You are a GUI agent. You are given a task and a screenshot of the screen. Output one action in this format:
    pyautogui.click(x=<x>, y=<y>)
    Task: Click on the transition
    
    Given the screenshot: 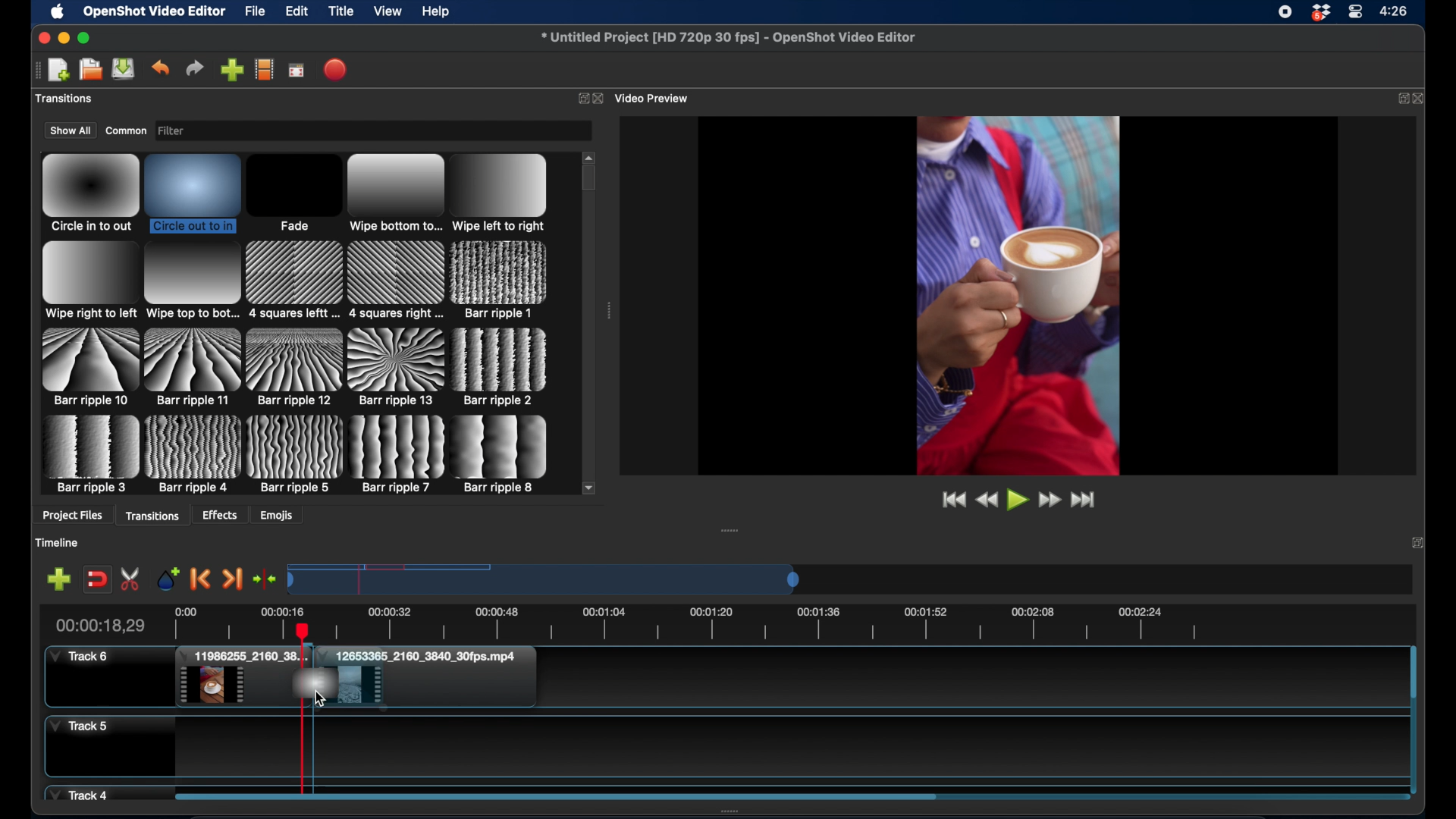 What is the action you would take?
    pyautogui.click(x=395, y=280)
    